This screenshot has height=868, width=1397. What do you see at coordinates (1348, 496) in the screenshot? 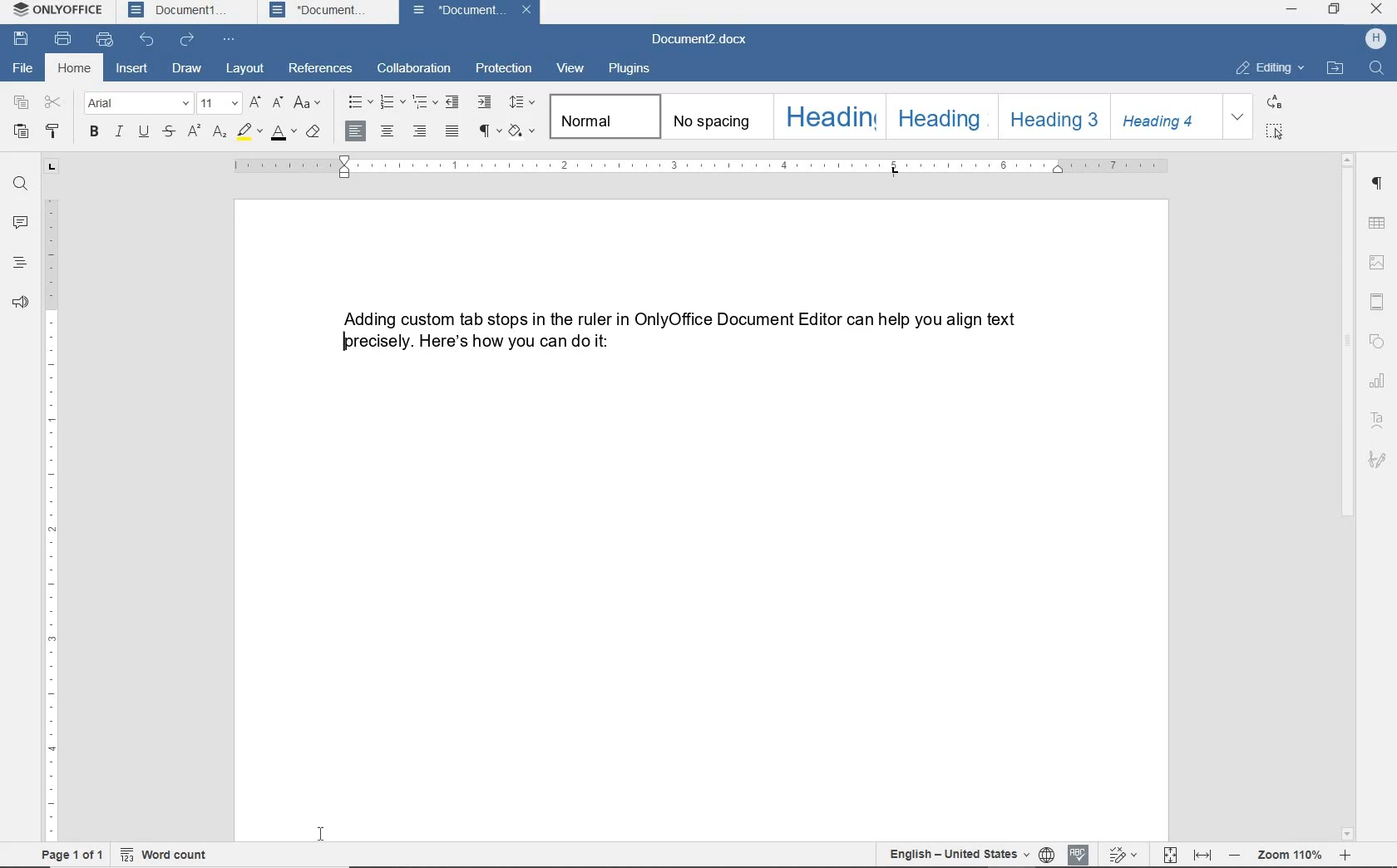
I see `scrollbar` at bounding box center [1348, 496].